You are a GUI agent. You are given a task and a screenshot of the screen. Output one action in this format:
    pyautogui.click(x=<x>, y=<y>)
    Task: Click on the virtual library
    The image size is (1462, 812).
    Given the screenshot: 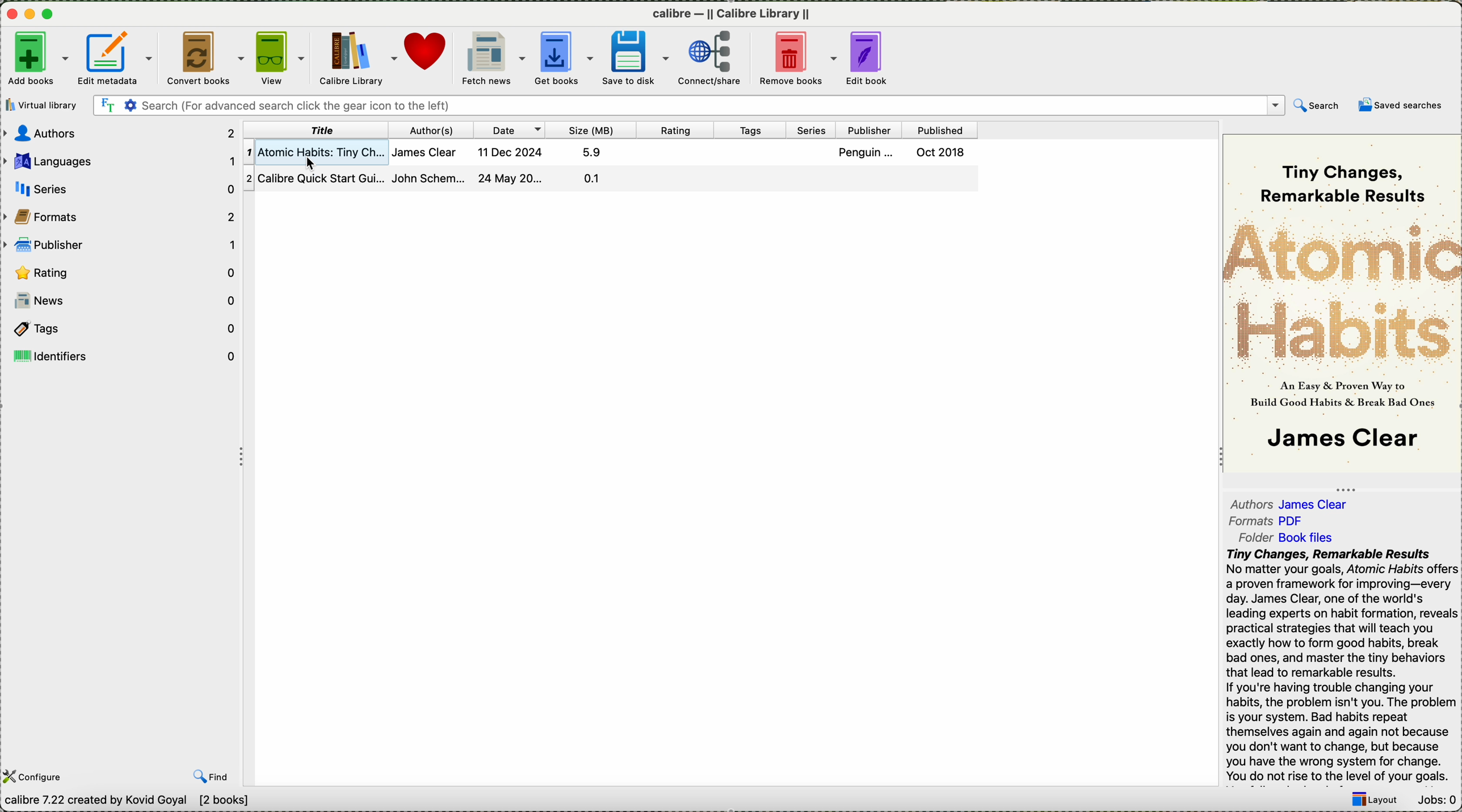 What is the action you would take?
    pyautogui.click(x=42, y=105)
    